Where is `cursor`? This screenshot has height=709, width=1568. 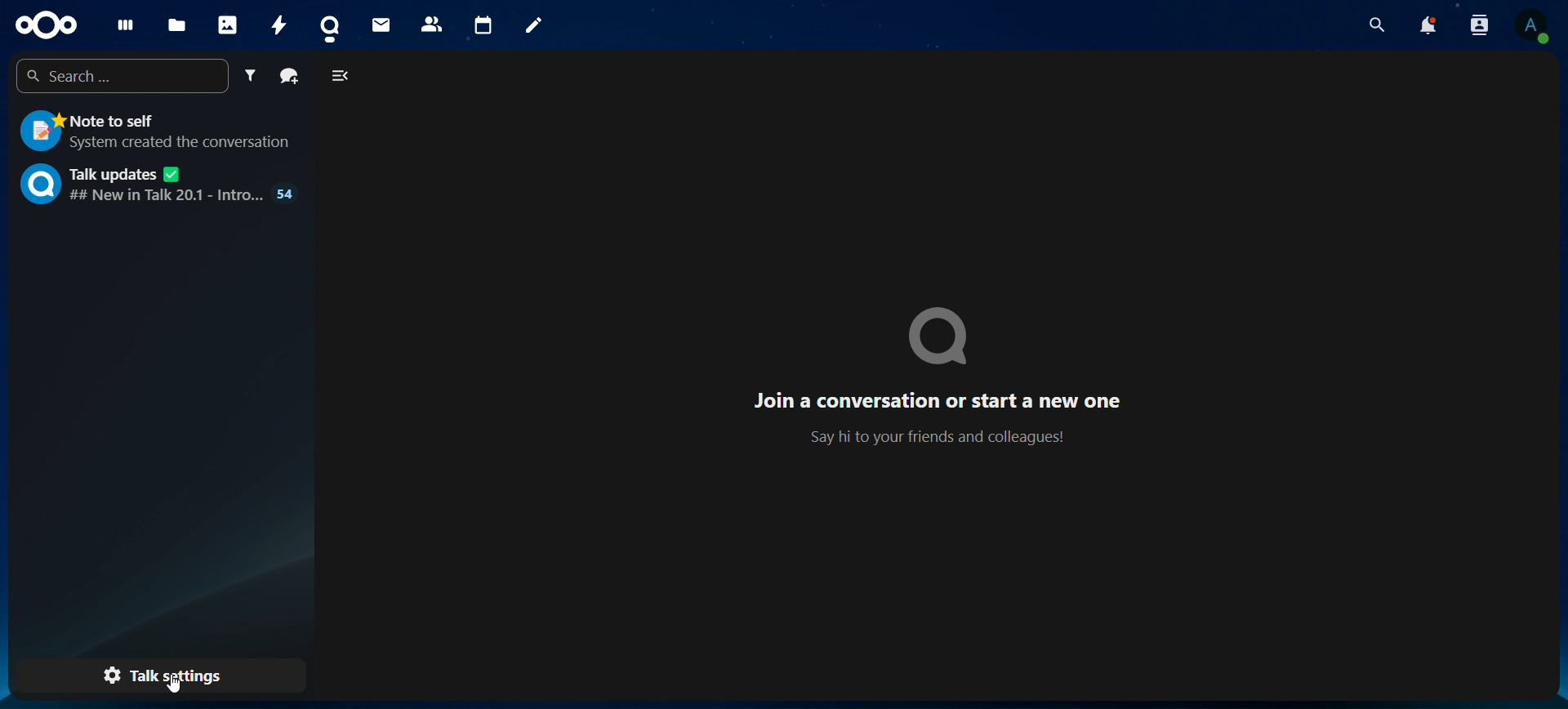 cursor is located at coordinates (177, 687).